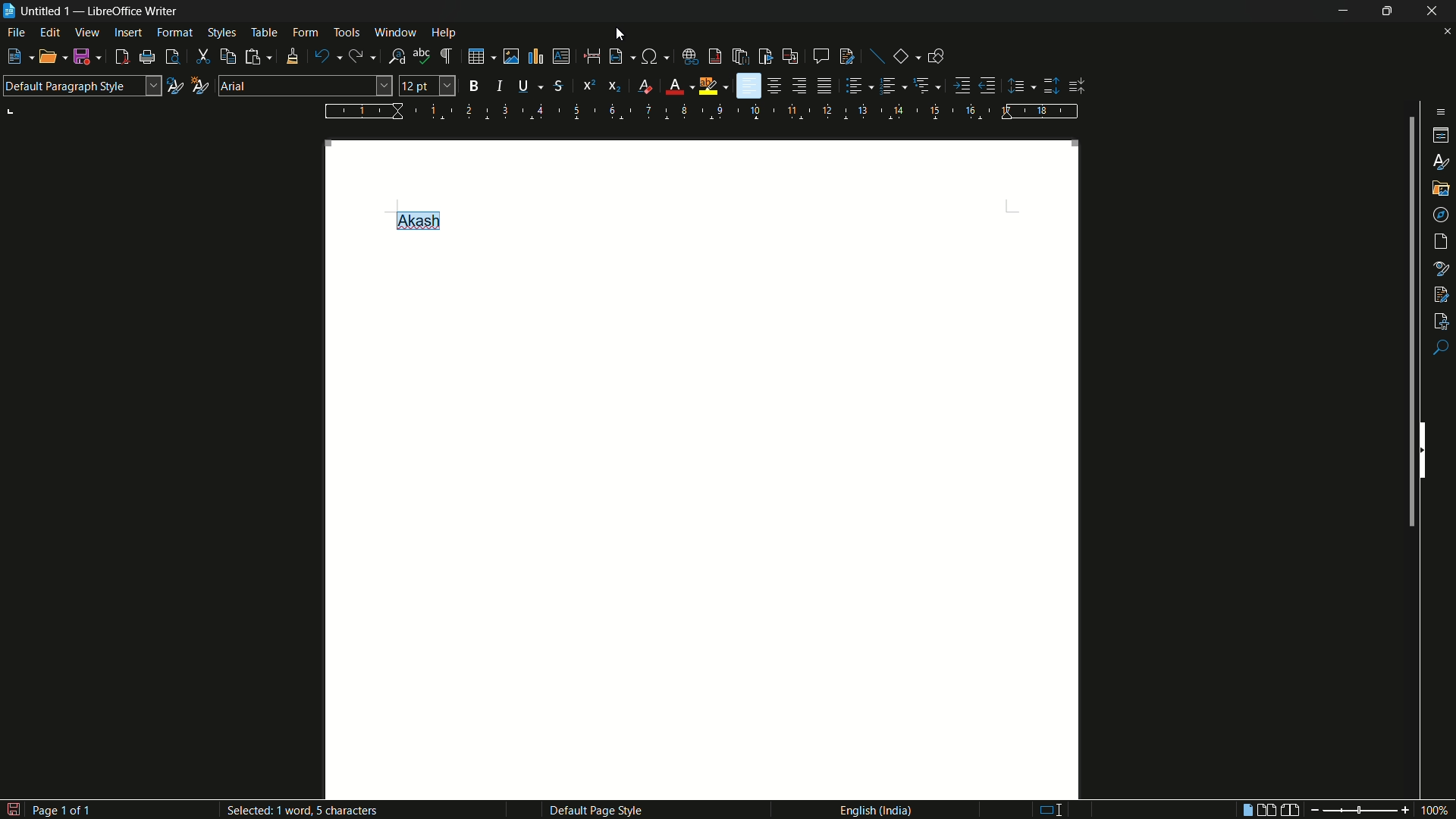 This screenshot has height=819, width=1456. I want to click on paragraph style, so click(81, 86).